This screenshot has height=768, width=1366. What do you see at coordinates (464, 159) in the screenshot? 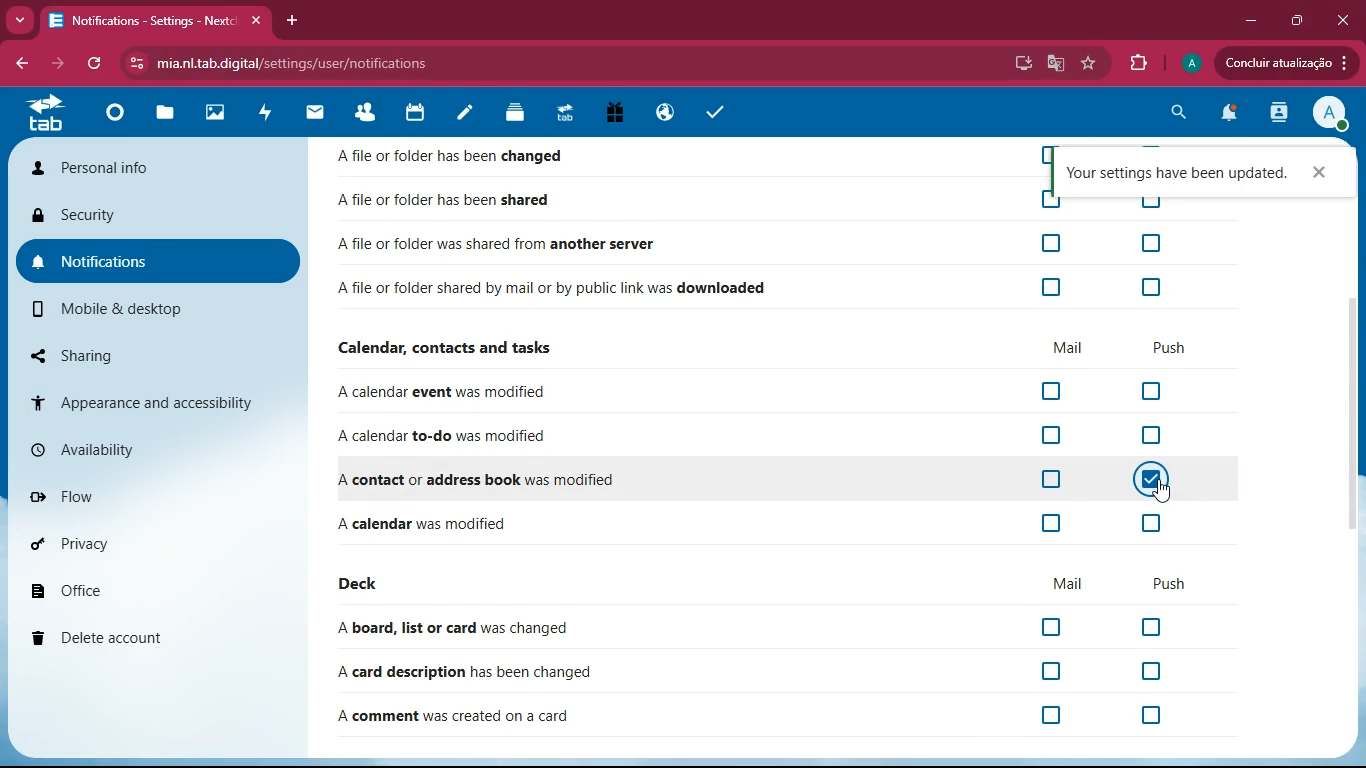
I see `Afile or folder has been changed` at bounding box center [464, 159].